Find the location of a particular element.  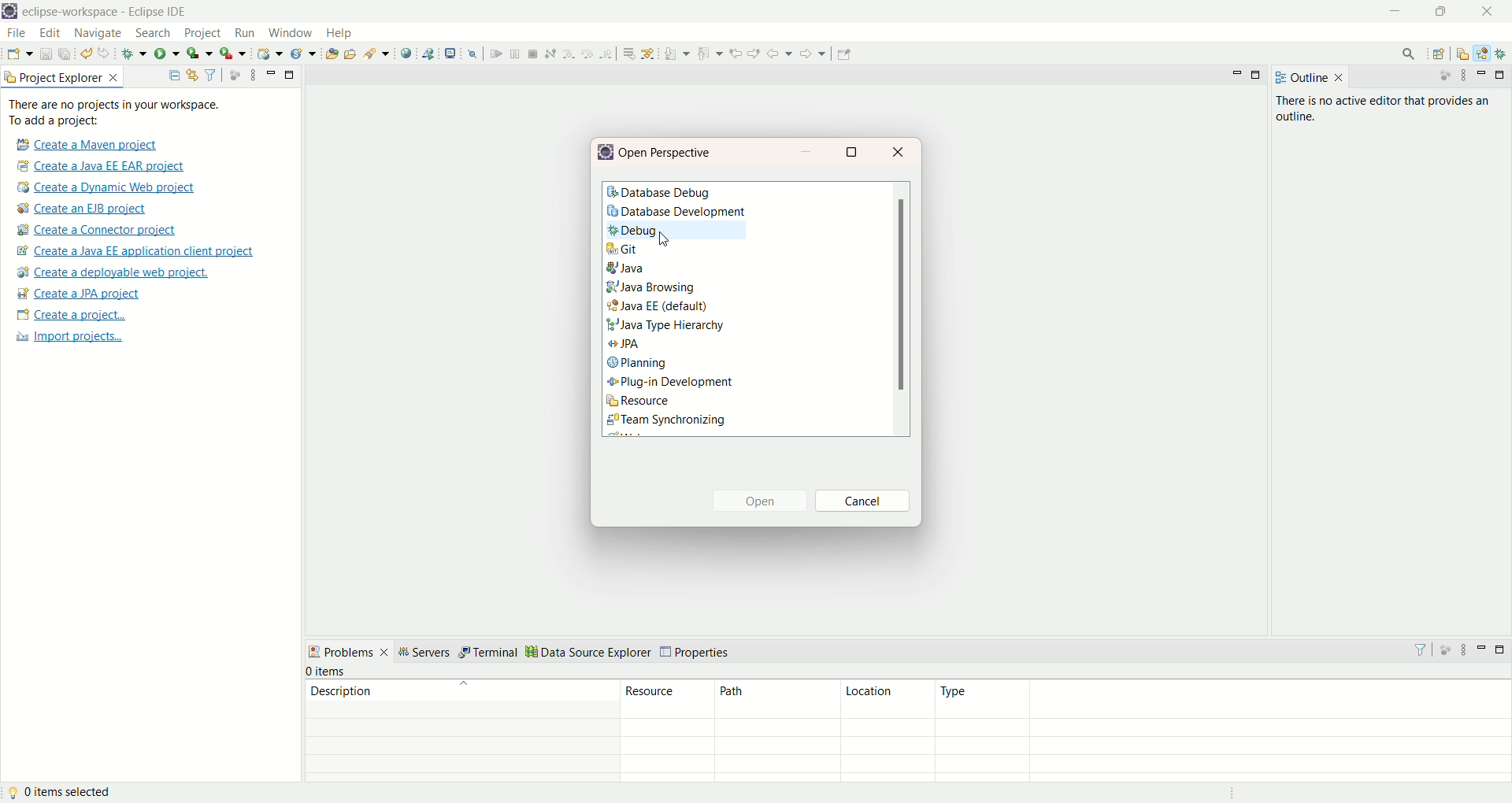

forward is located at coordinates (812, 54).